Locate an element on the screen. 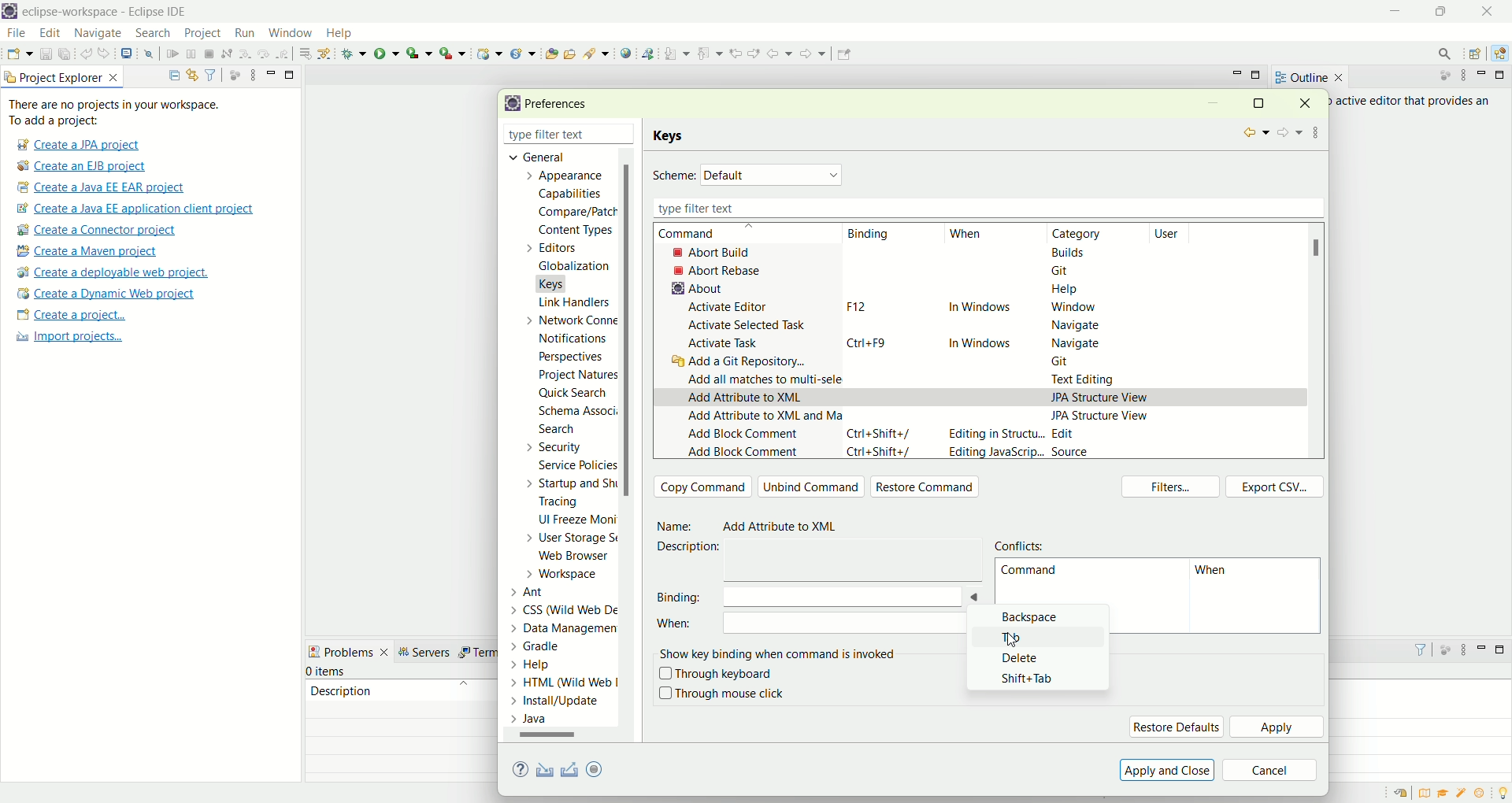  previous annotation is located at coordinates (713, 52).